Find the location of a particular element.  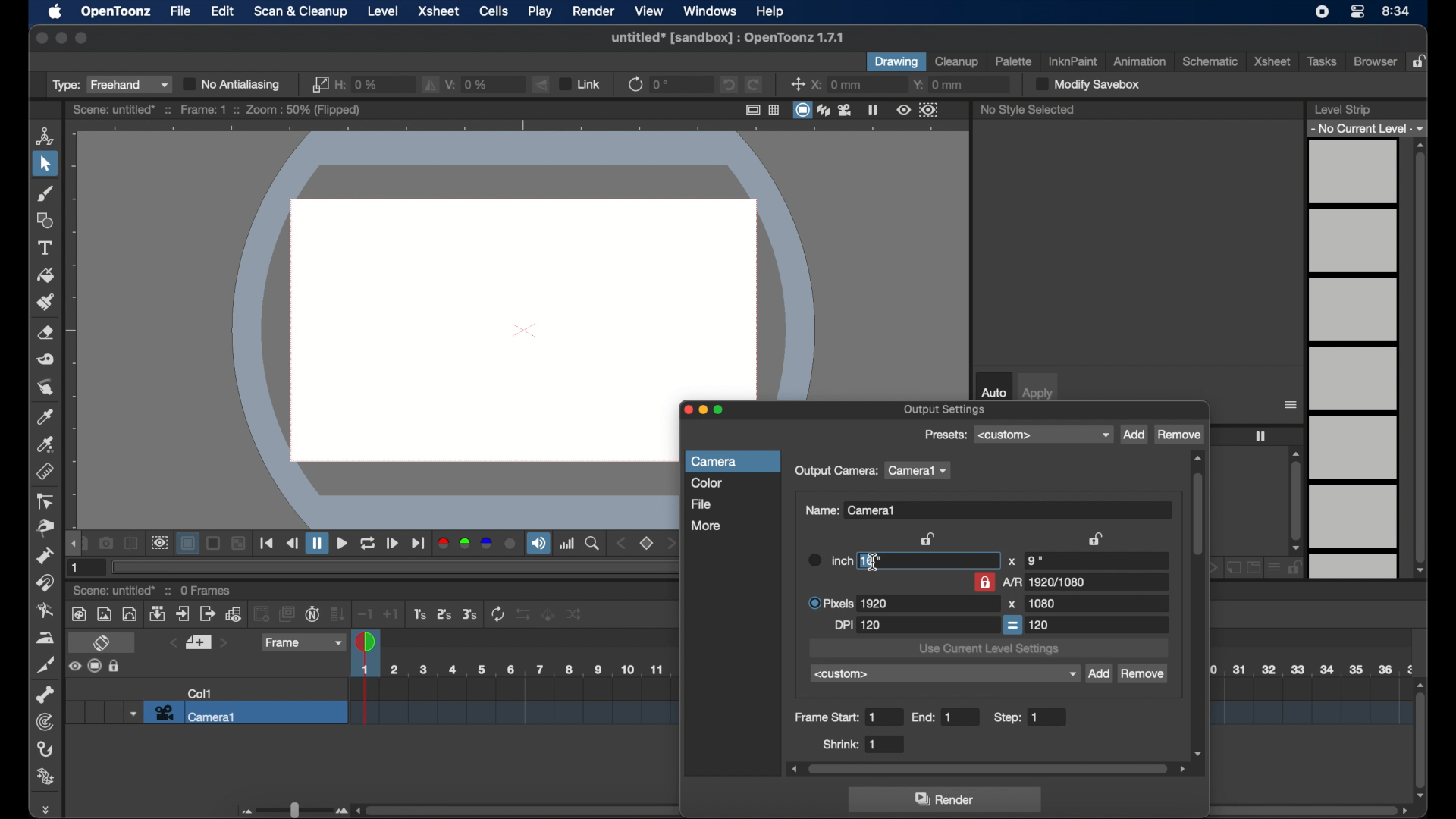

no style selected is located at coordinates (1028, 109).